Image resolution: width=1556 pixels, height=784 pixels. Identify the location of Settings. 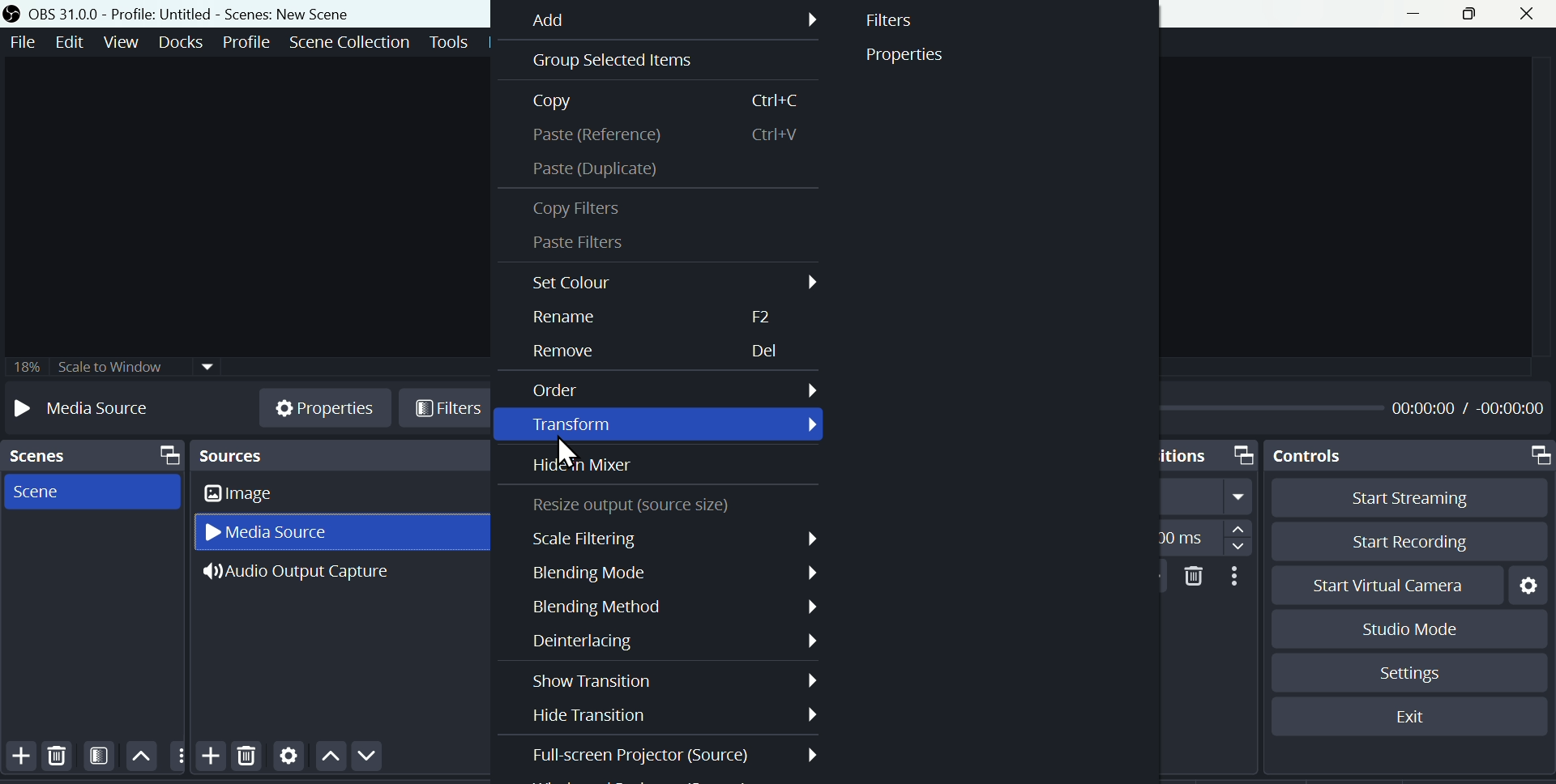
(1528, 583).